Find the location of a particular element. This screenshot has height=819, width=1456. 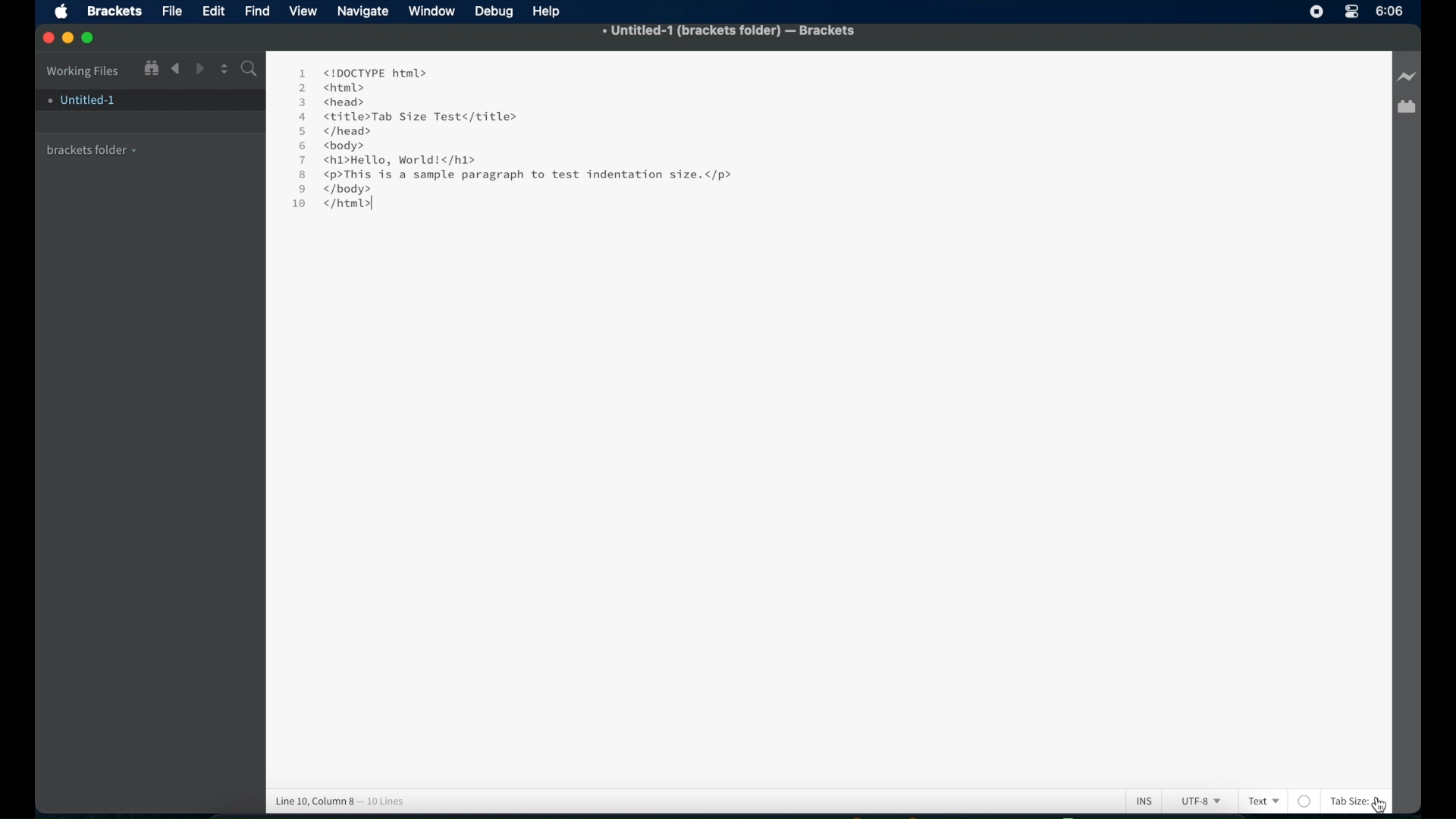

9 </body> is located at coordinates (346, 189).